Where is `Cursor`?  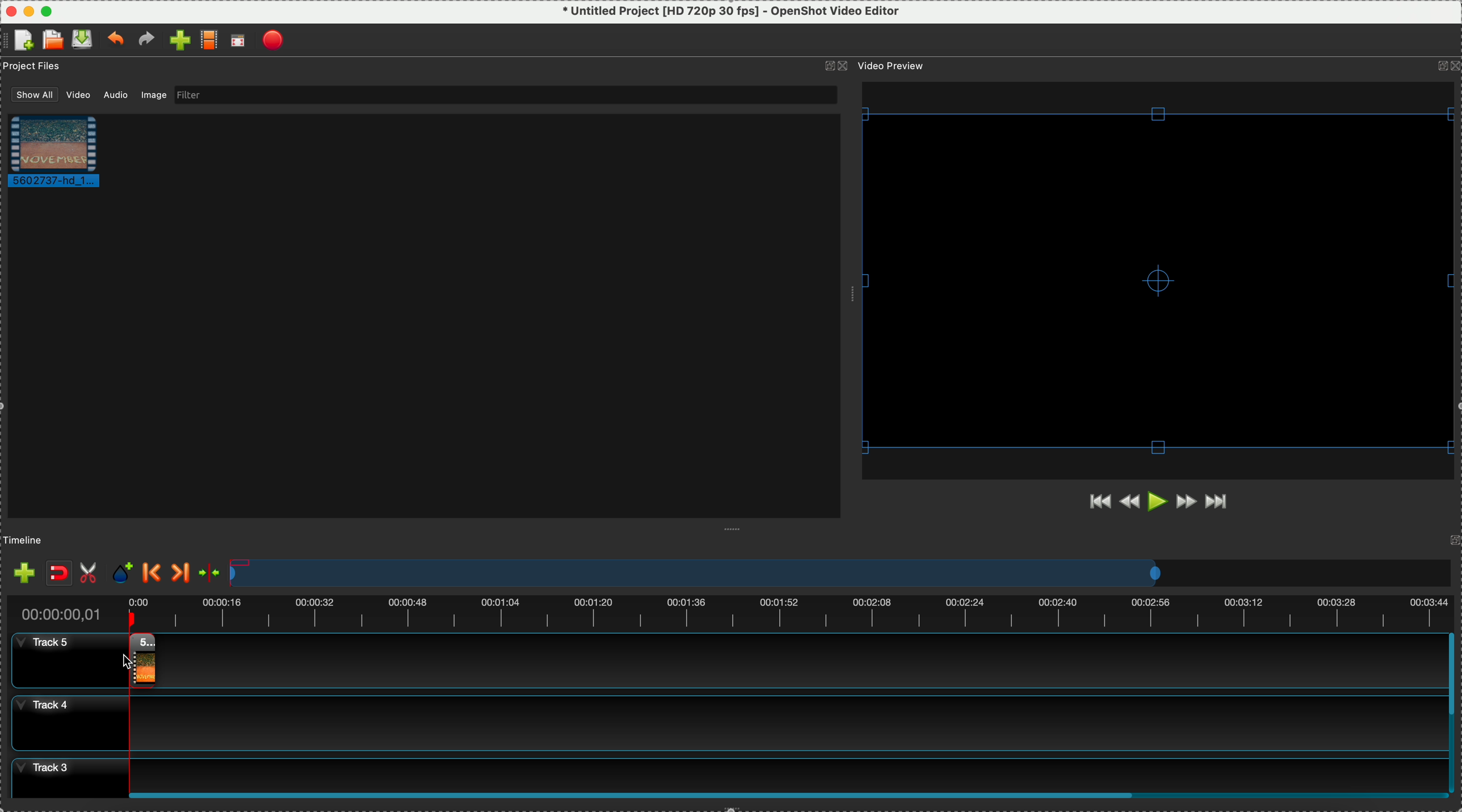
Cursor is located at coordinates (129, 662).